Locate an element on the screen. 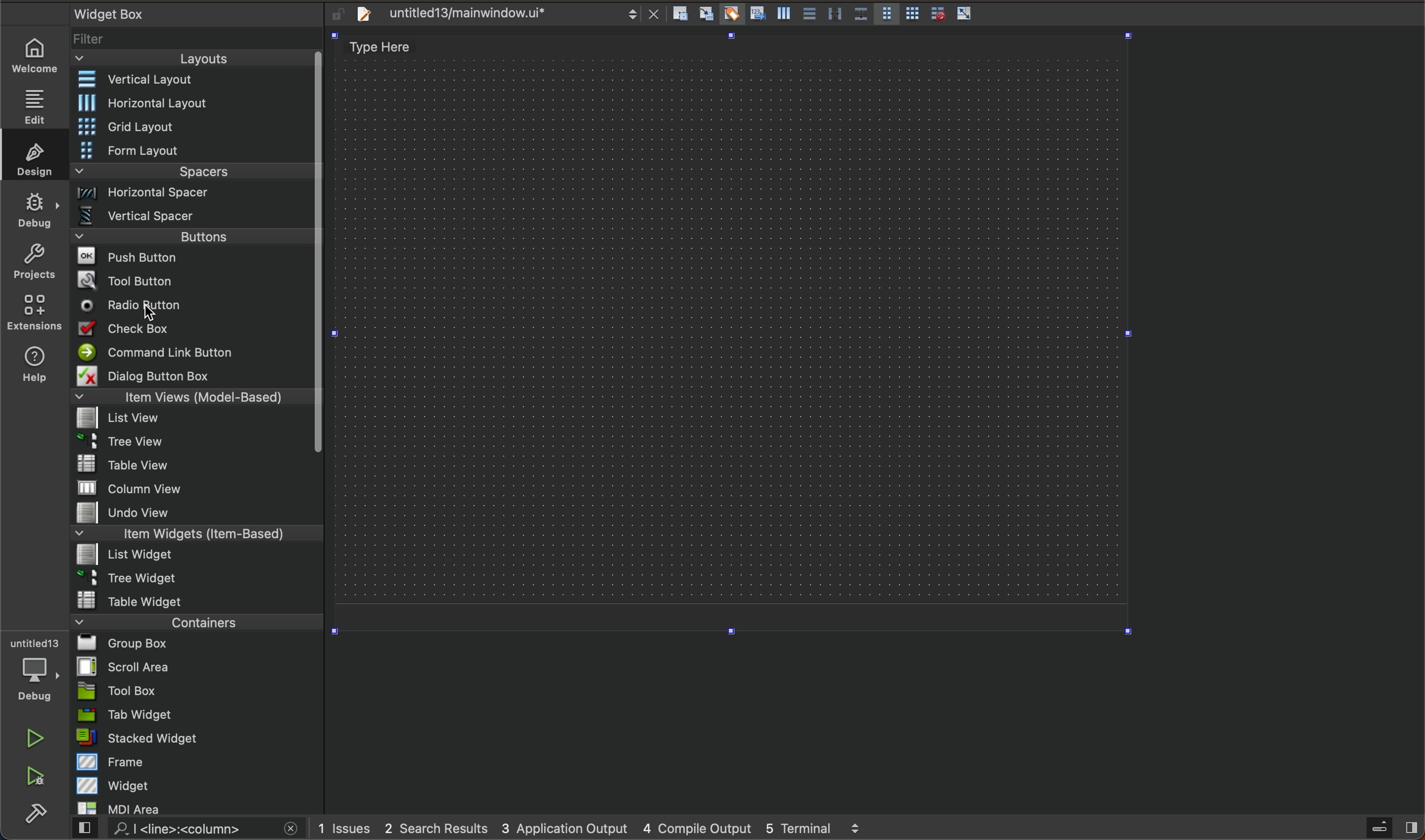 The height and width of the screenshot is (840, 1425).  is located at coordinates (808, 15).